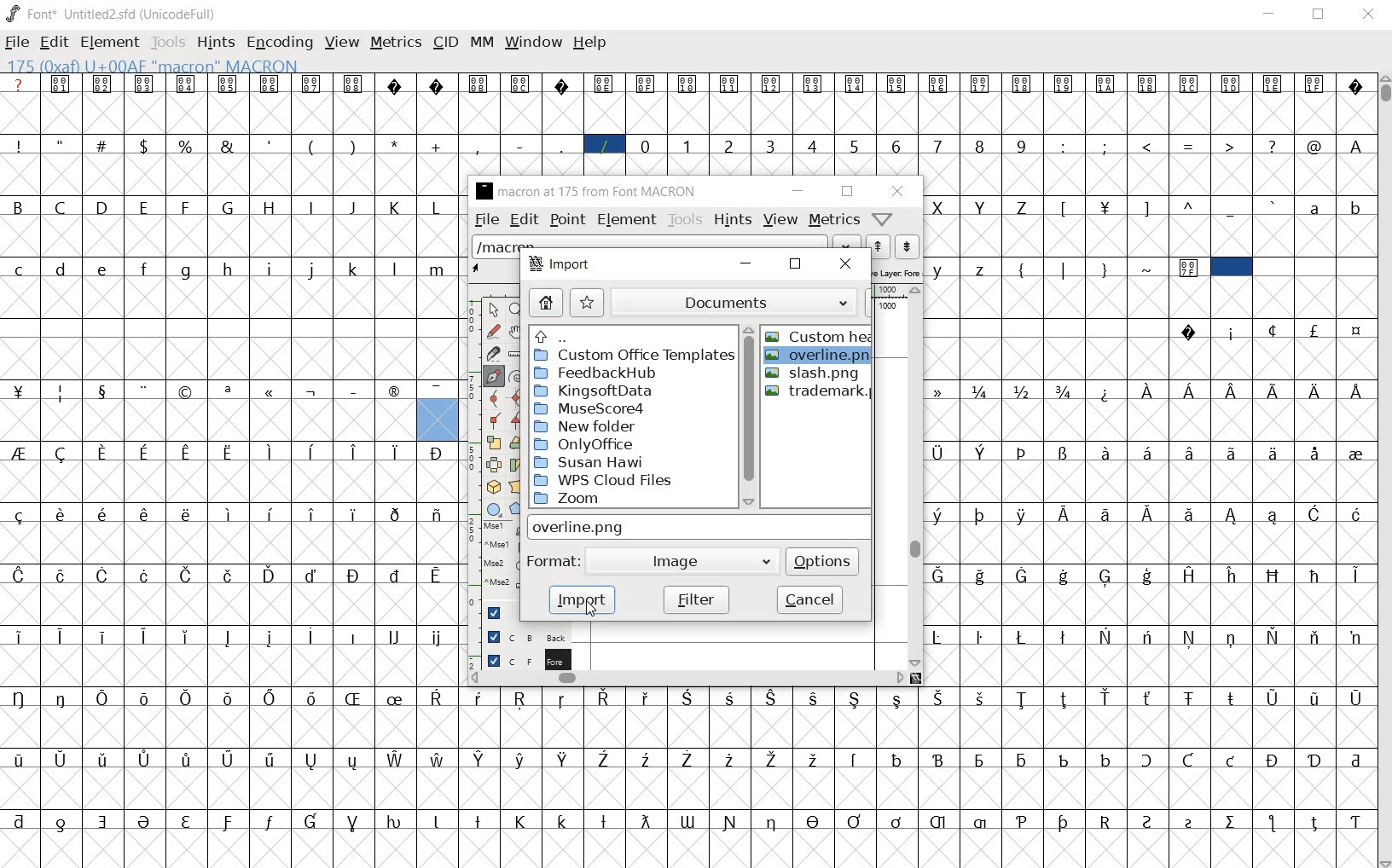  Describe the element at coordinates (63, 85) in the screenshot. I see `Symbol` at that location.